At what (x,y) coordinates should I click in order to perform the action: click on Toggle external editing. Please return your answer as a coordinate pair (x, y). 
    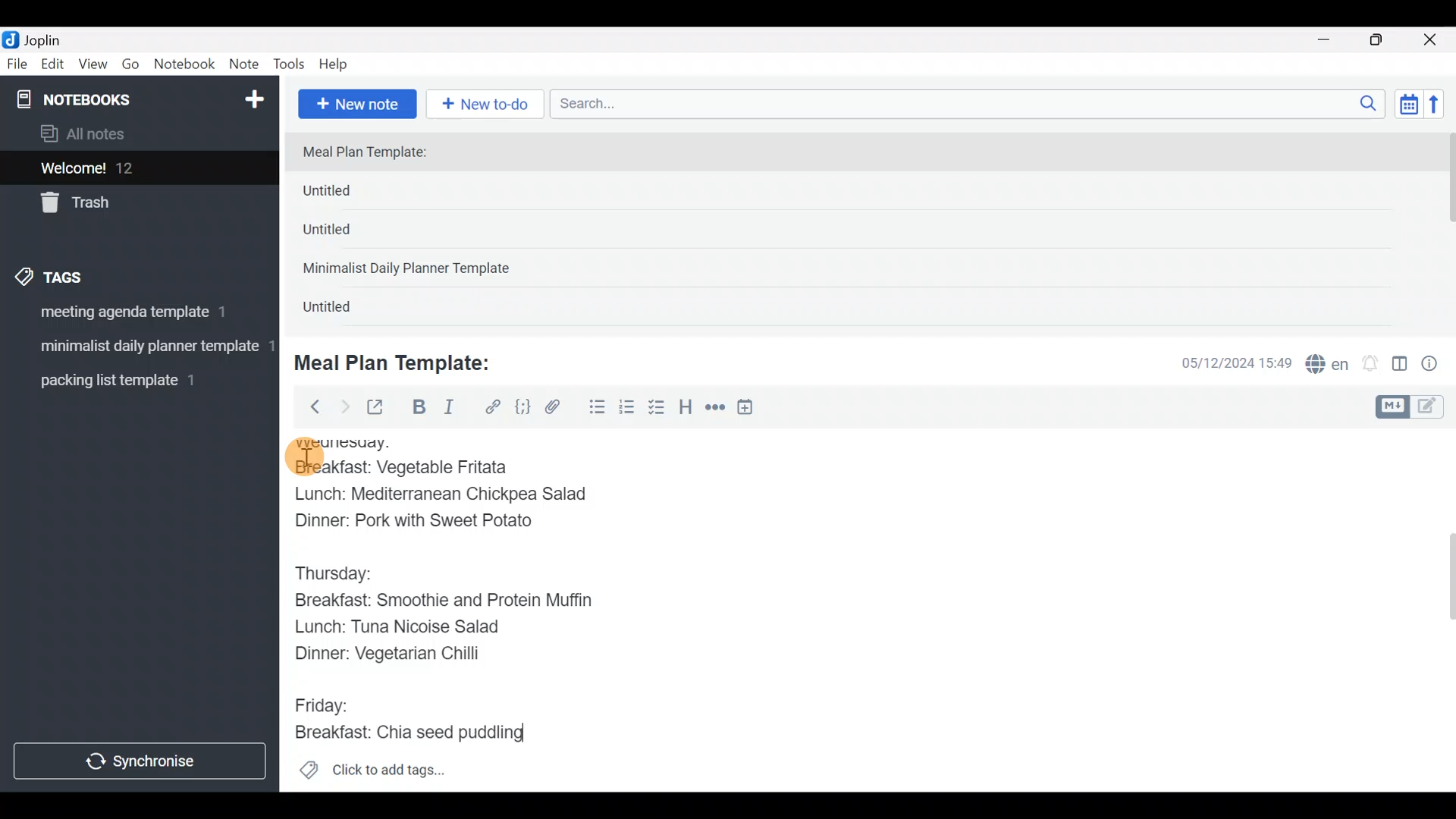
    Looking at the image, I should click on (381, 408).